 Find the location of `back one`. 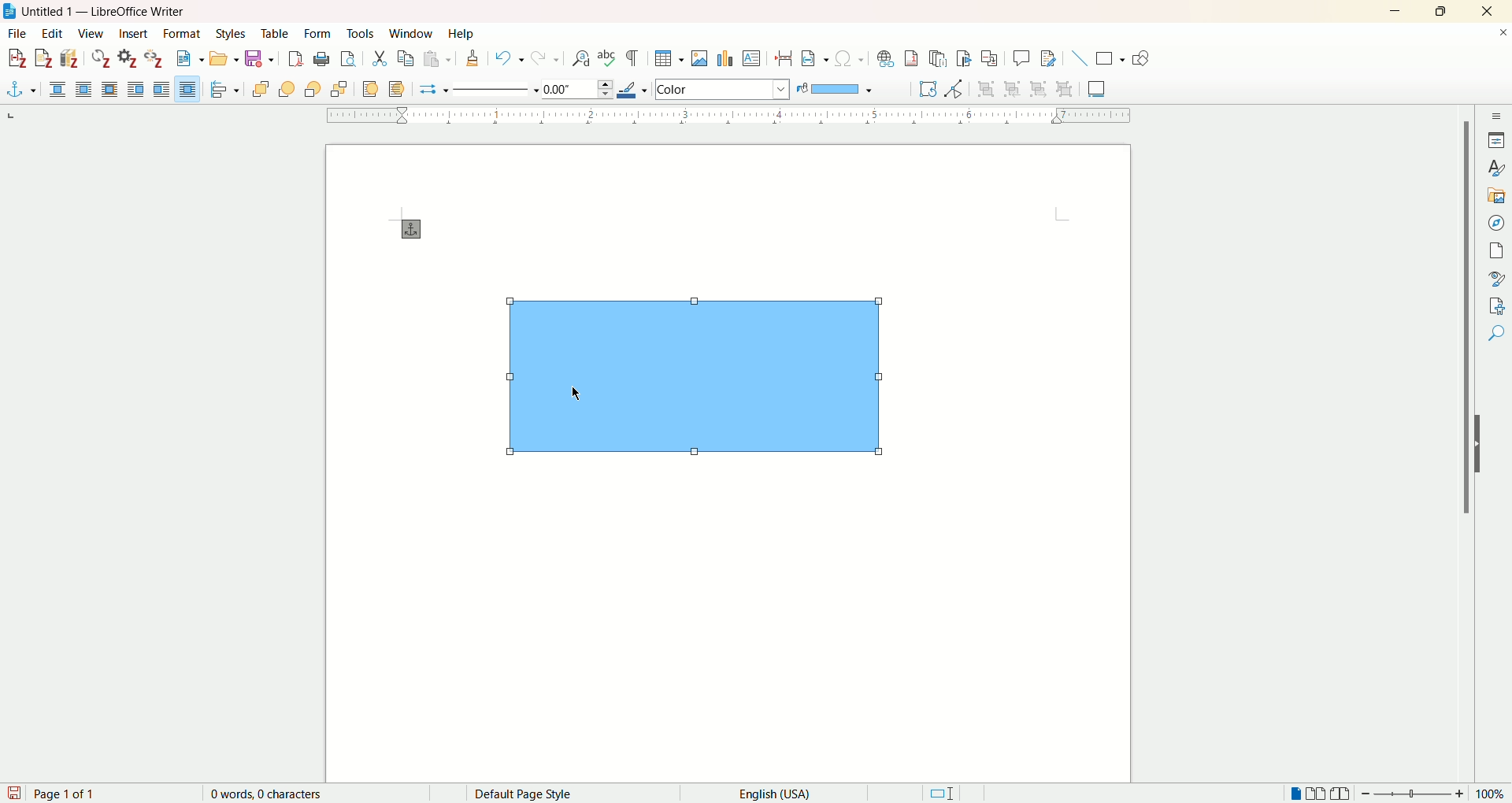

back one is located at coordinates (314, 88).